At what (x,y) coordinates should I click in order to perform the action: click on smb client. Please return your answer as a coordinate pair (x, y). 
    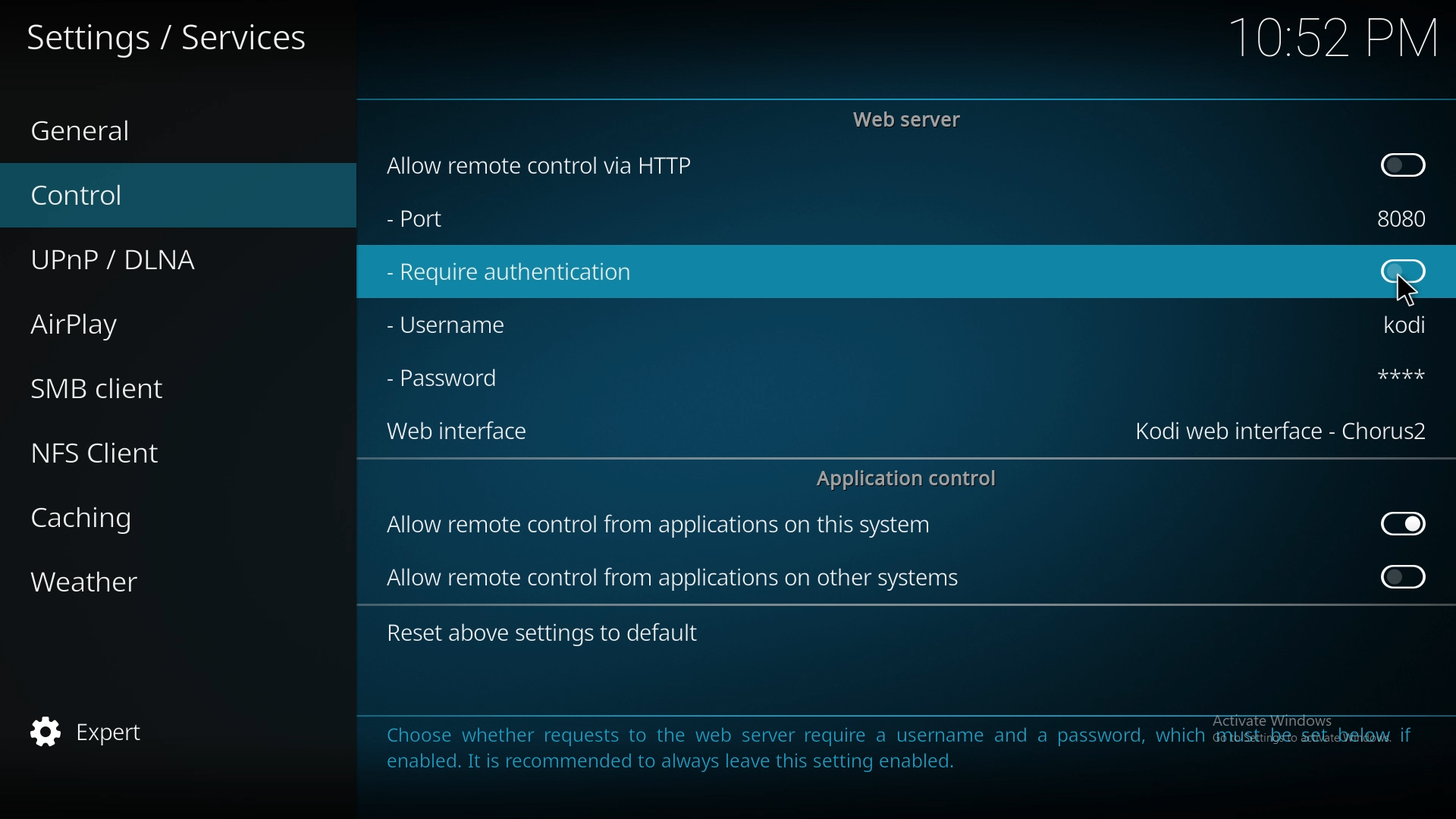
    Looking at the image, I should click on (152, 388).